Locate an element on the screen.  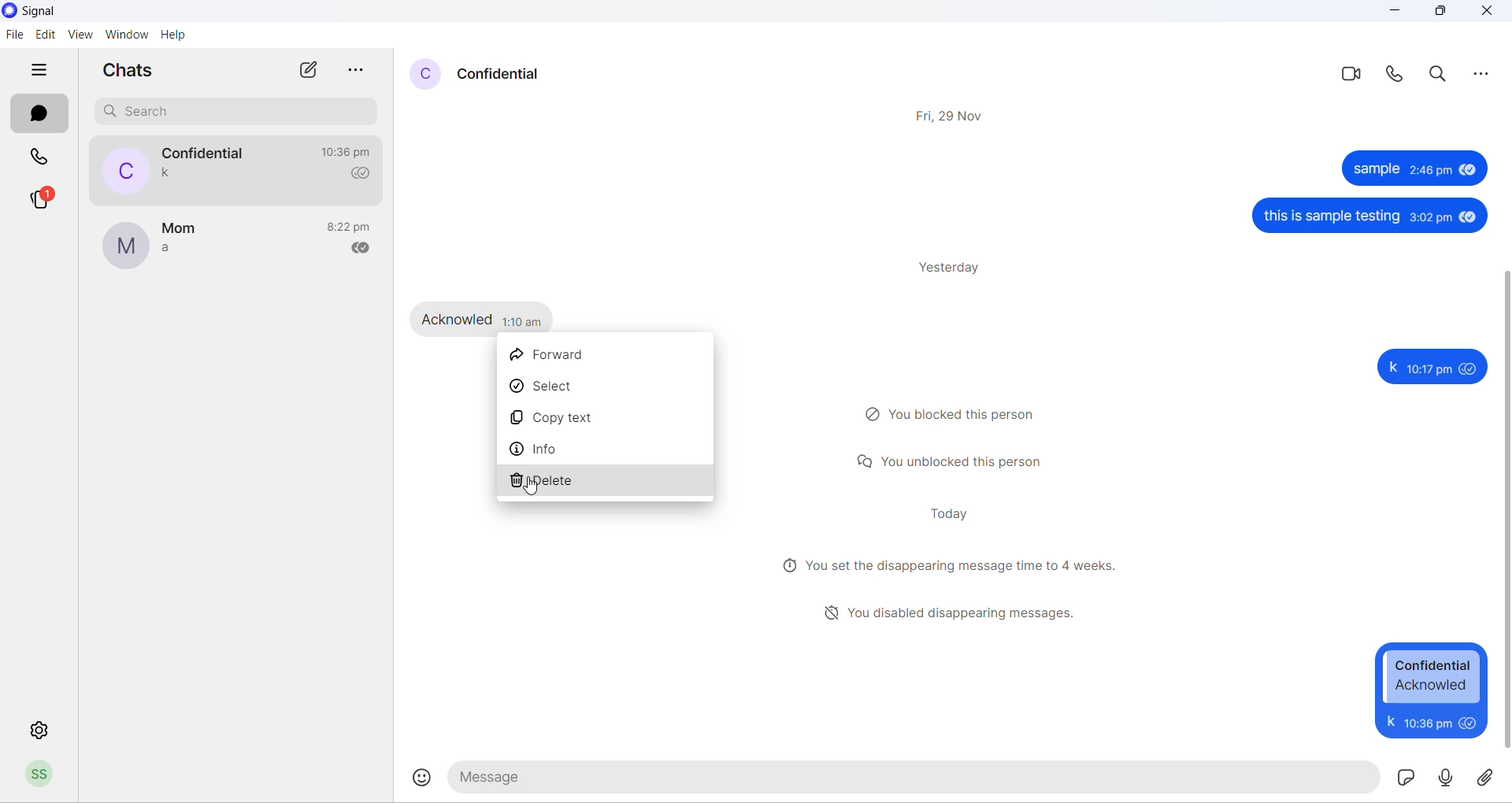
maximize is located at coordinates (1438, 11).